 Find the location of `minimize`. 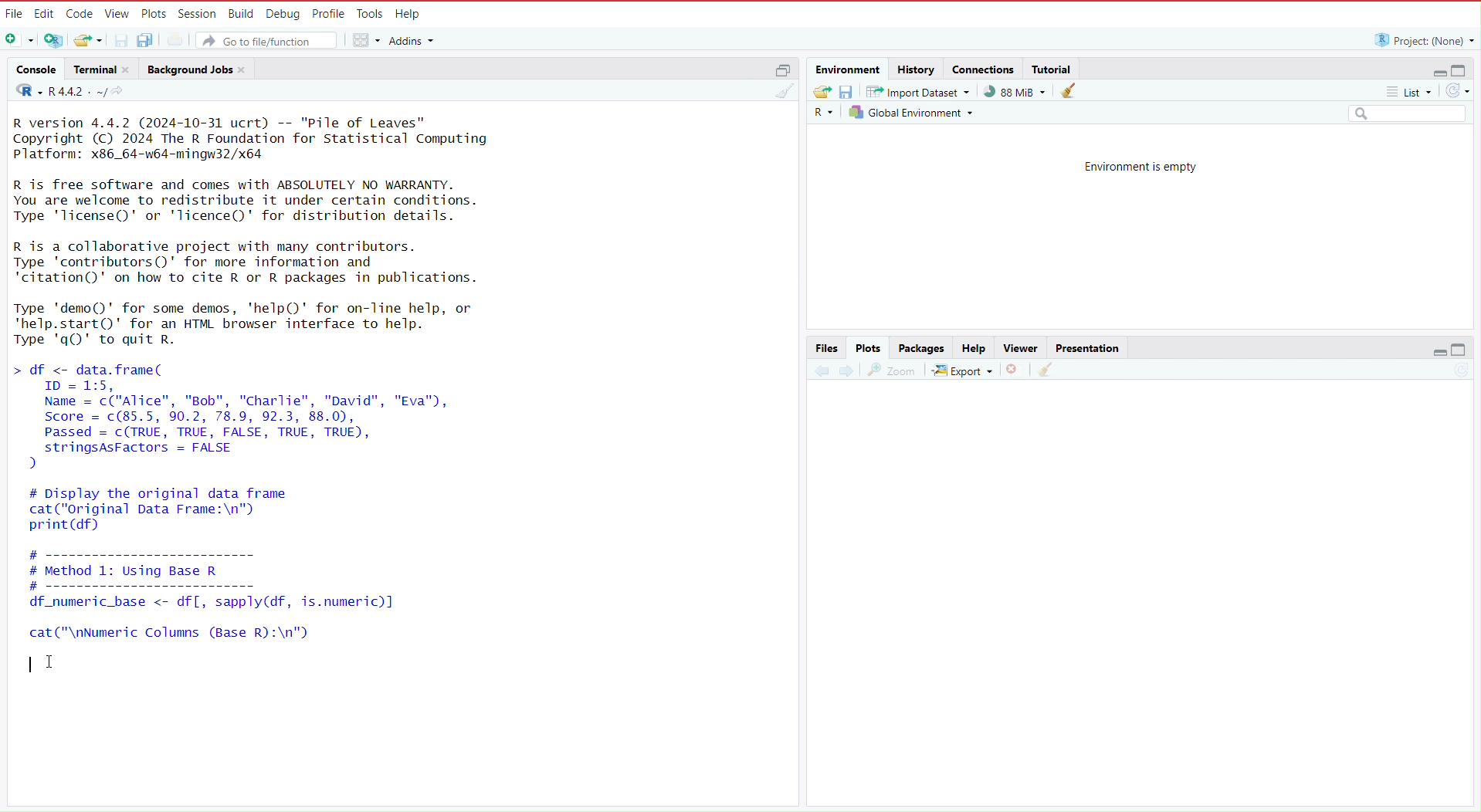

minimize is located at coordinates (1438, 350).